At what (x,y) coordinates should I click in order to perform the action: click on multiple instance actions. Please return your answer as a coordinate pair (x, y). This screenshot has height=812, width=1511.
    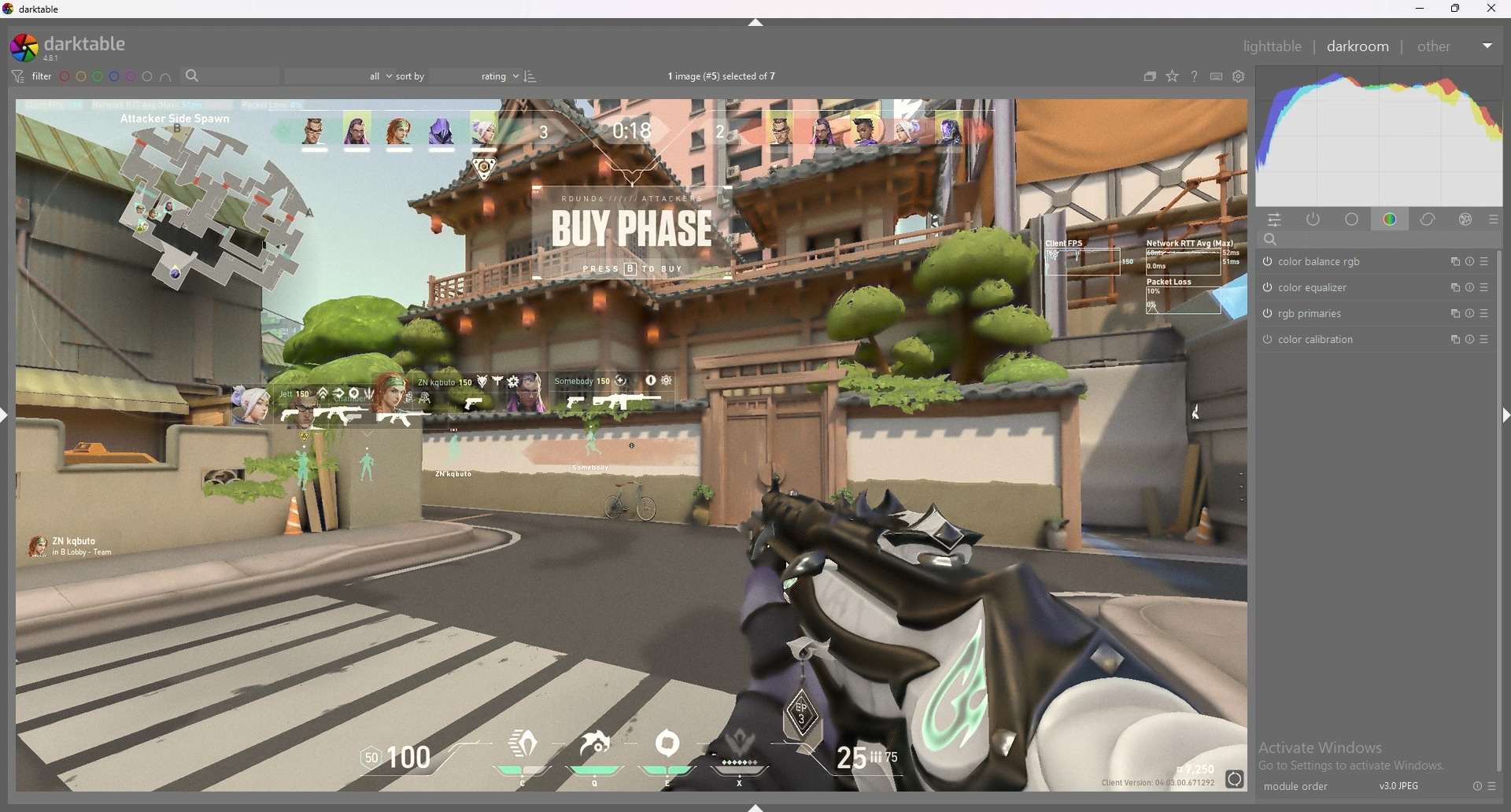
    Looking at the image, I should click on (1450, 339).